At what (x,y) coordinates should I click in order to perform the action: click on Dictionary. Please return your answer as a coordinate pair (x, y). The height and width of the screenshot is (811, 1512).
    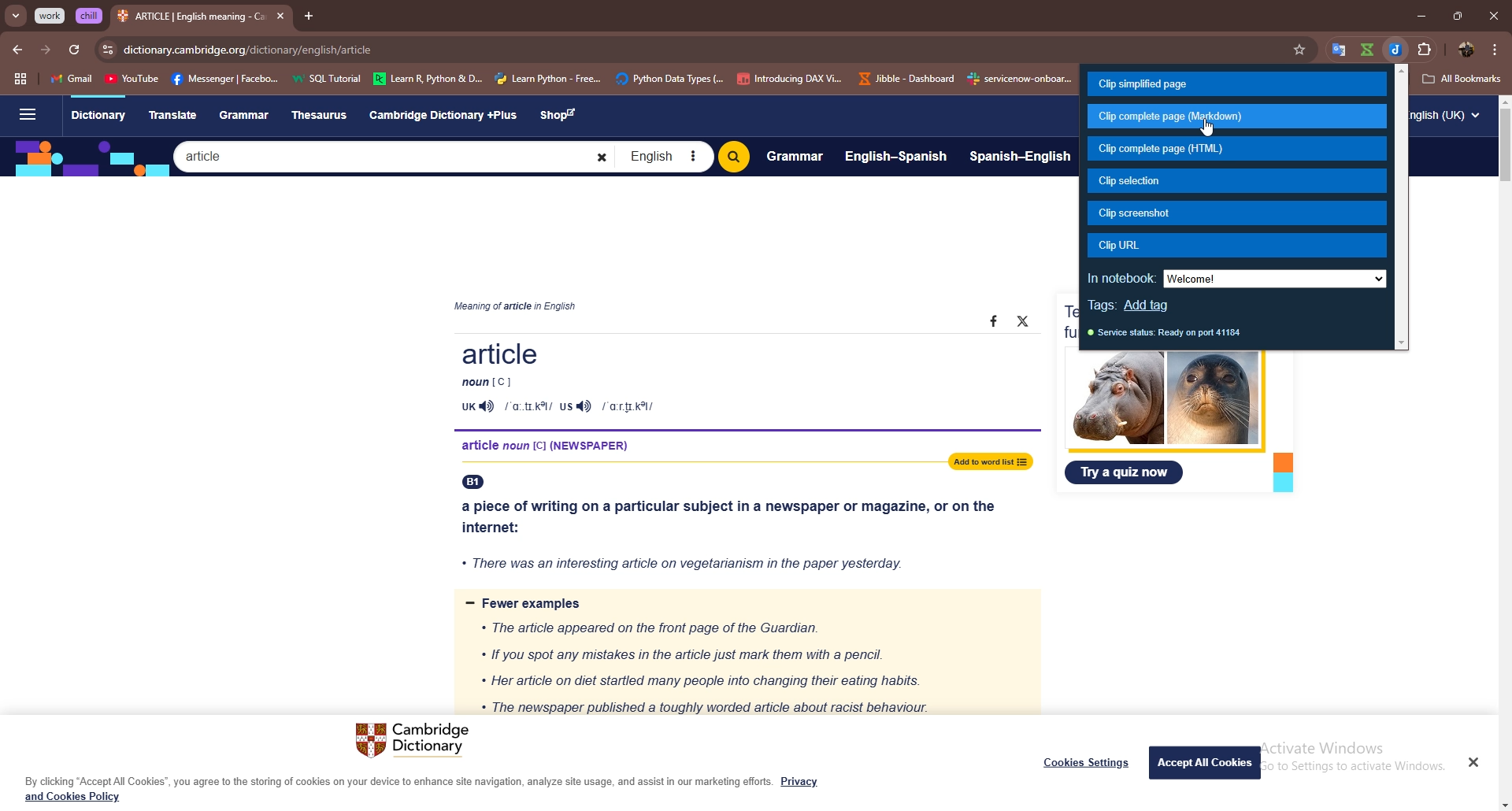
    Looking at the image, I should click on (98, 117).